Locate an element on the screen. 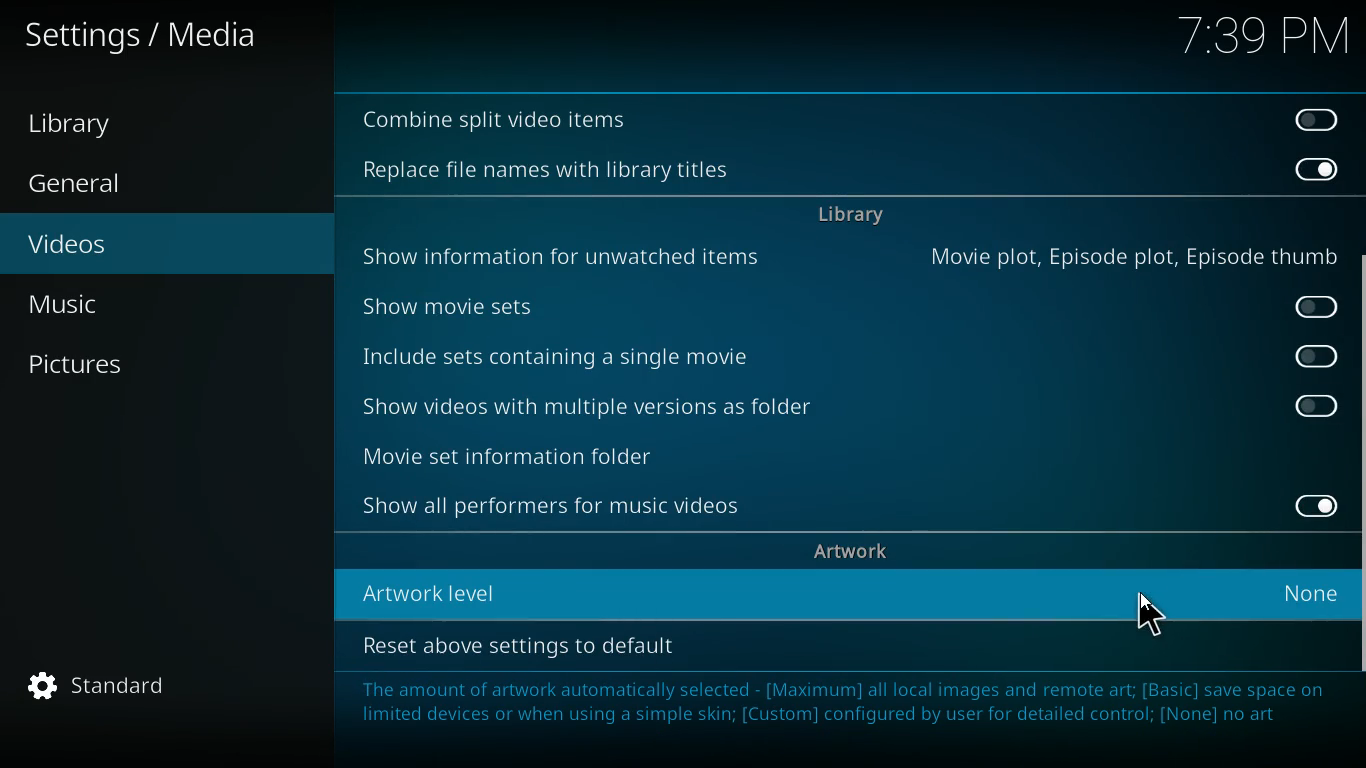 Image resolution: width=1366 pixels, height=768 pixels. movie set information is located at coordinates (567, 453).